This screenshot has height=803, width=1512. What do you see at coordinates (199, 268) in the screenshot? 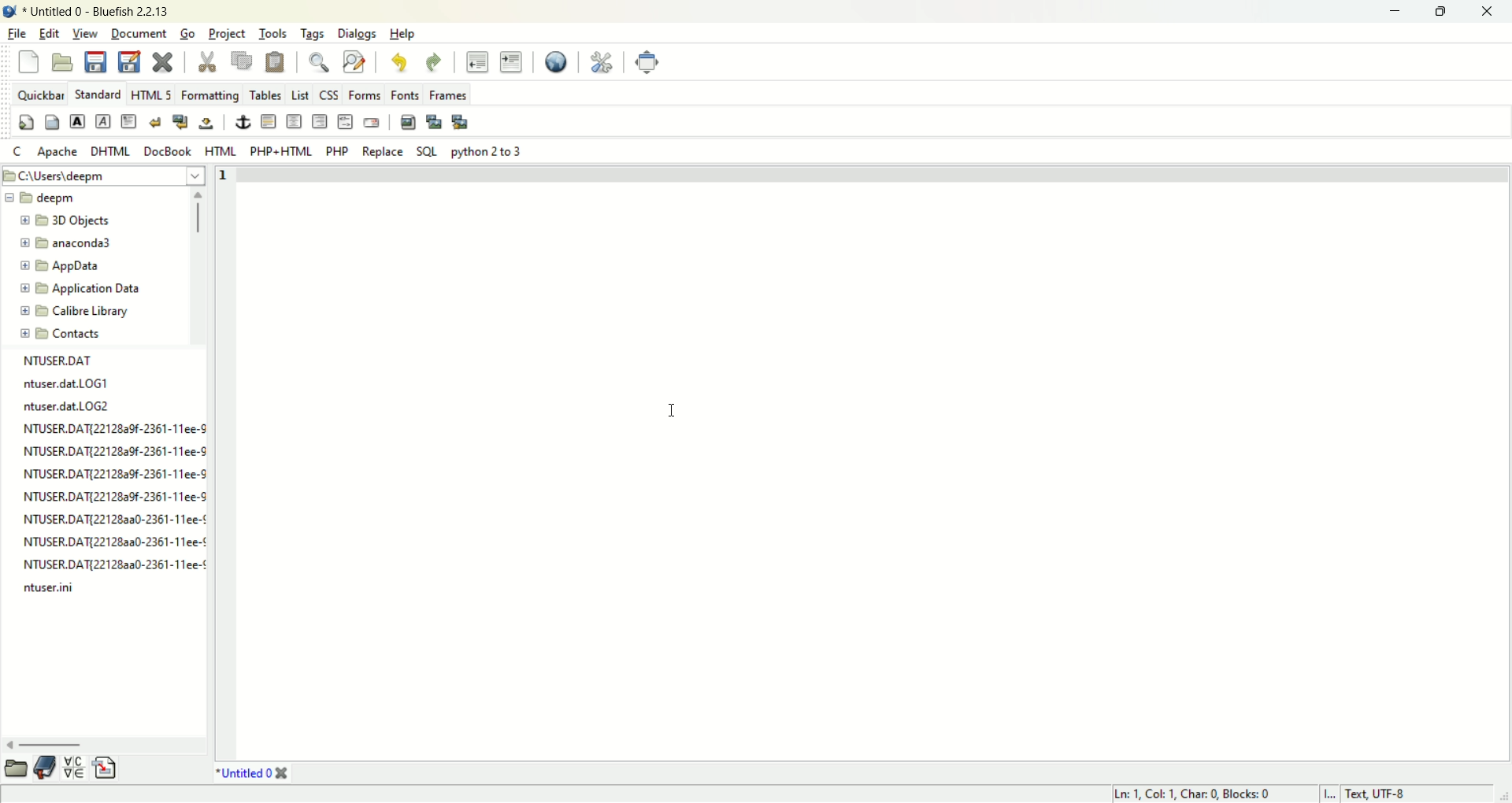
I see `scroll bar` at bounding box center [199, 268].